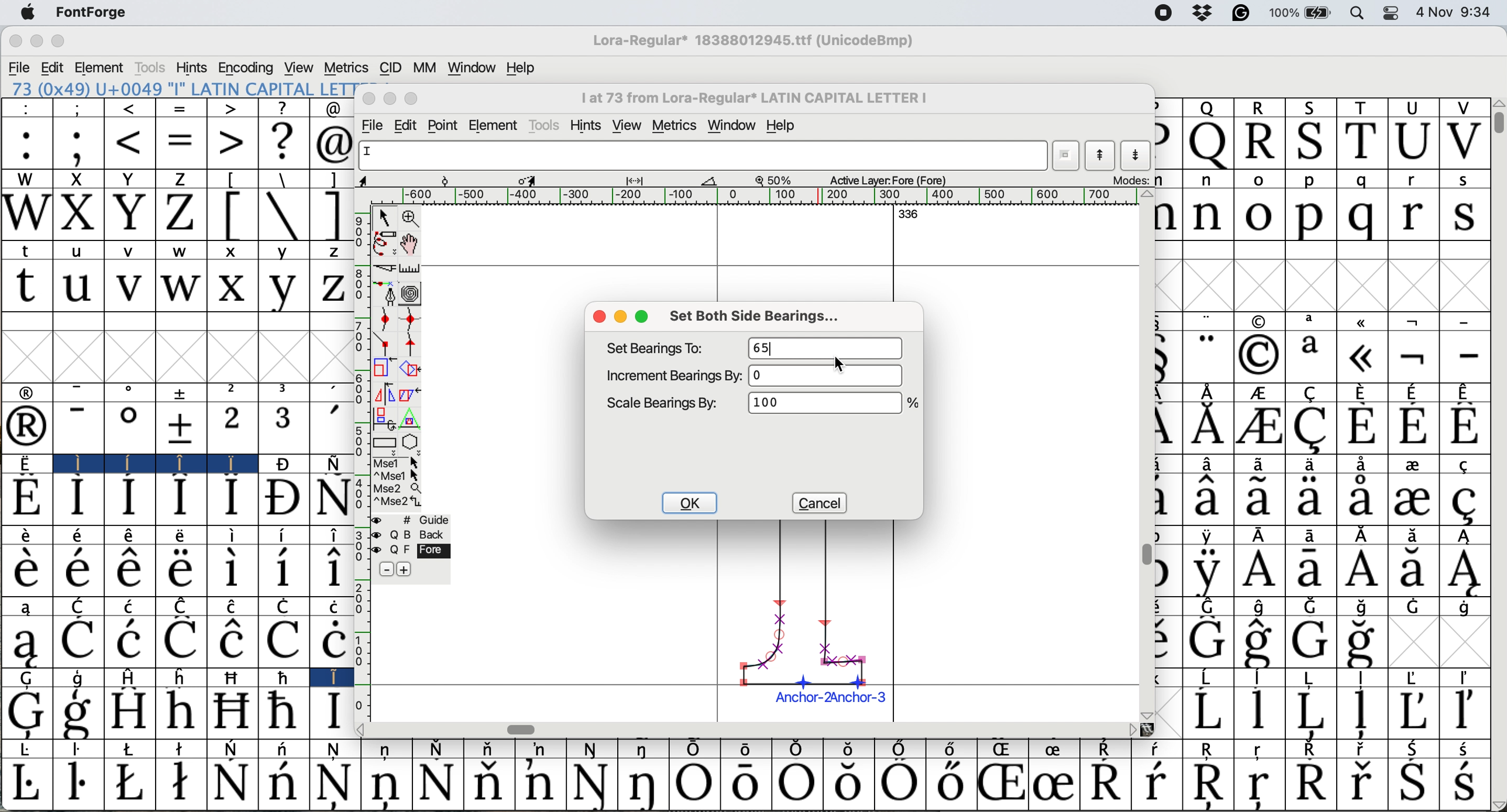 Image resolution: width=1507 pixels, height=812 pixels. What do you see at coordinates (1413, 784) in the screenshot?
I see `Symbol` at bounding box center [1413, 784].